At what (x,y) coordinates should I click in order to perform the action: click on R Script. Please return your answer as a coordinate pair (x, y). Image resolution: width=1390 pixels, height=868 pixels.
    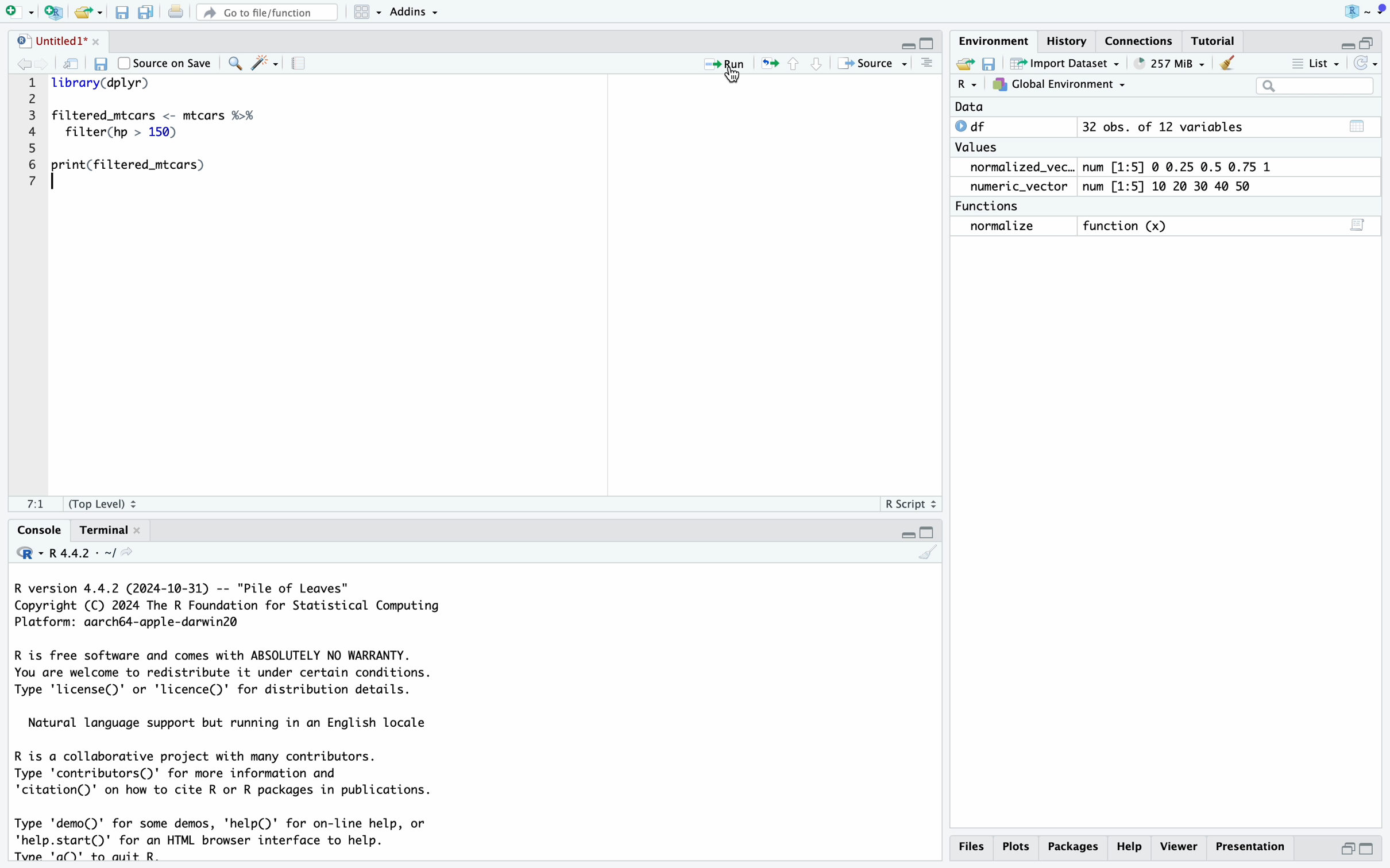
    Looking at the image, I should click on (908, 506).